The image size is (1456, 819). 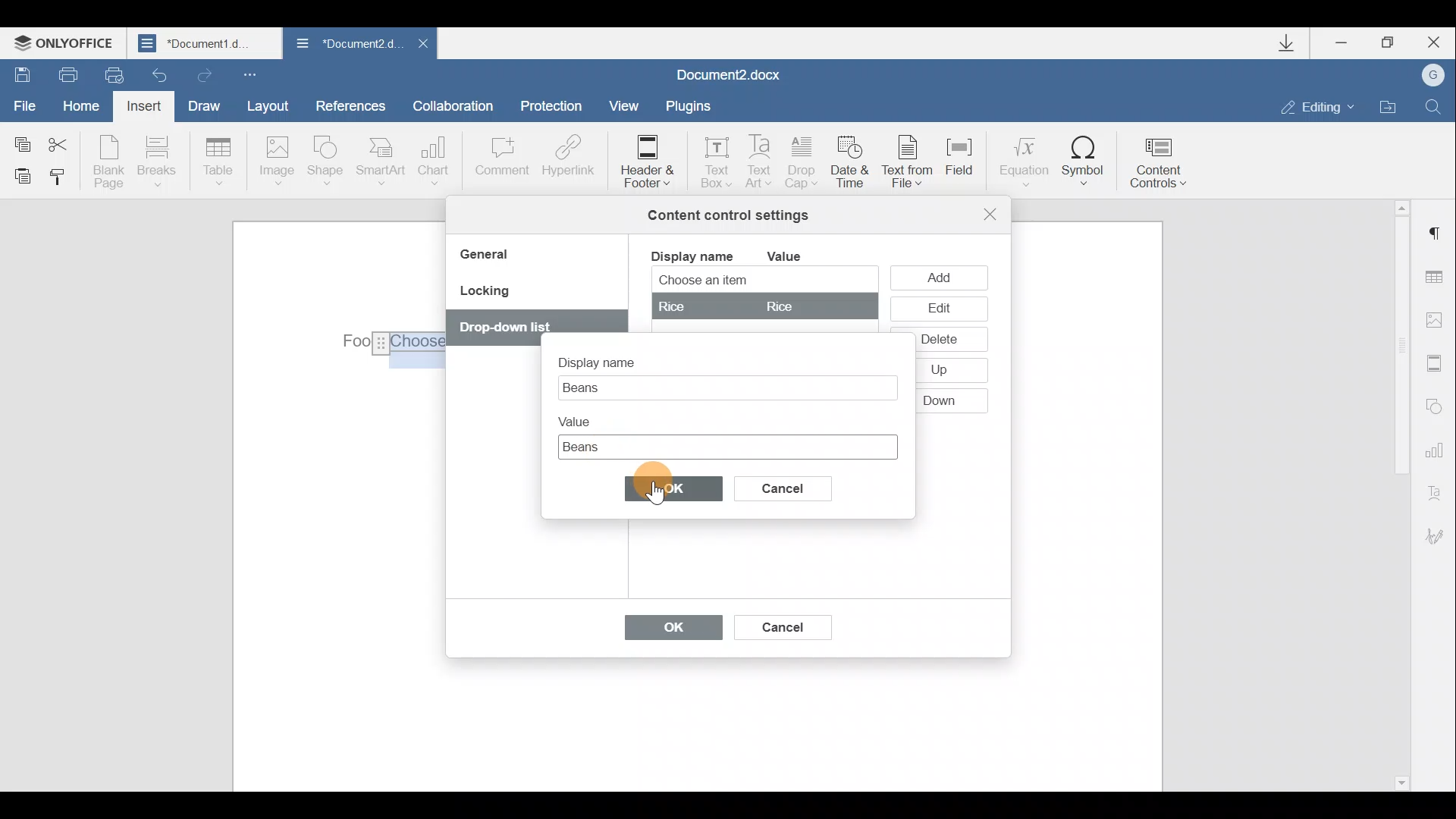 I want to click on Maximize, so click(x=1389, y=43).